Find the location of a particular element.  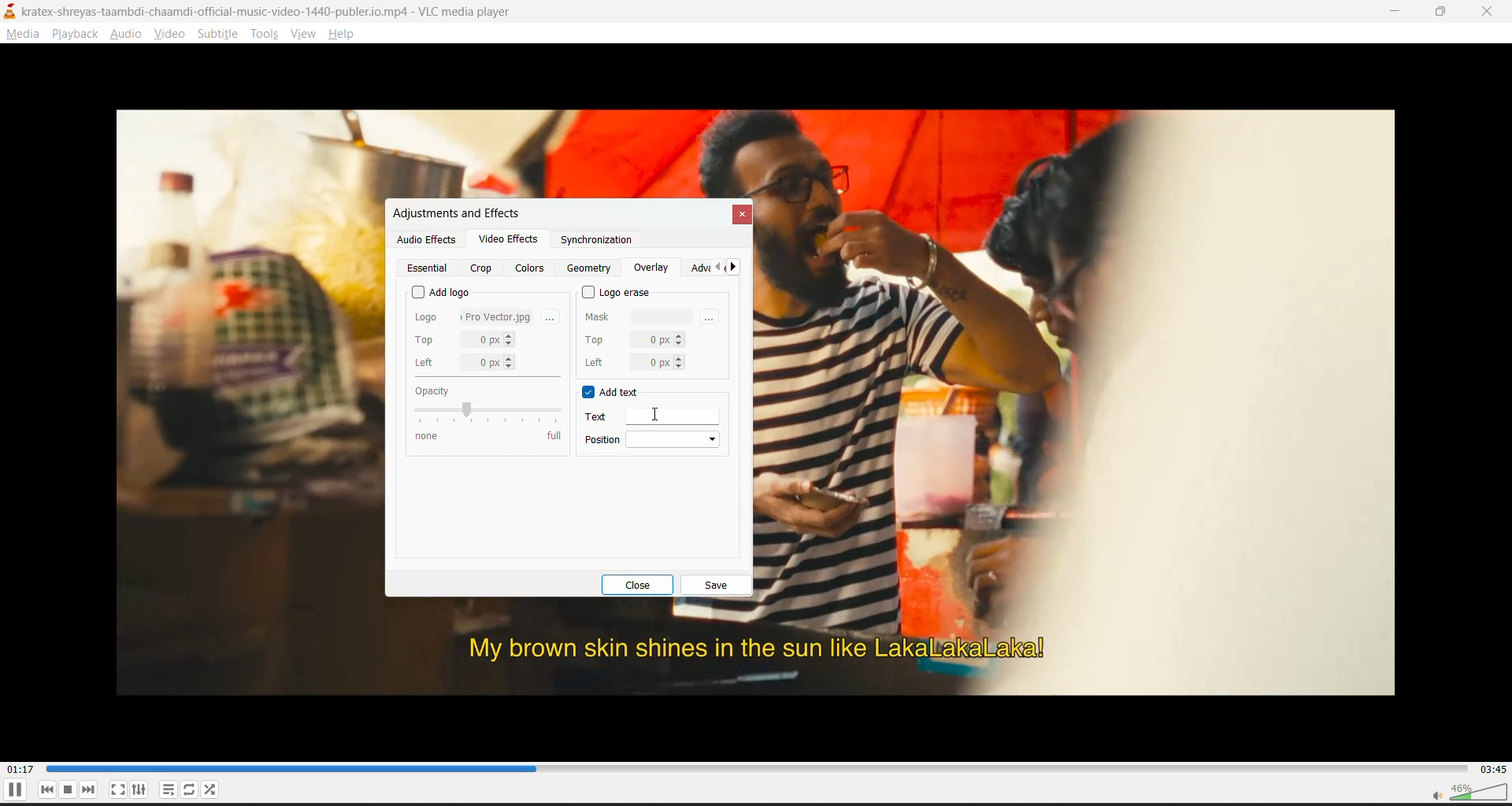

minimize is located at coordinates (1397, 11).